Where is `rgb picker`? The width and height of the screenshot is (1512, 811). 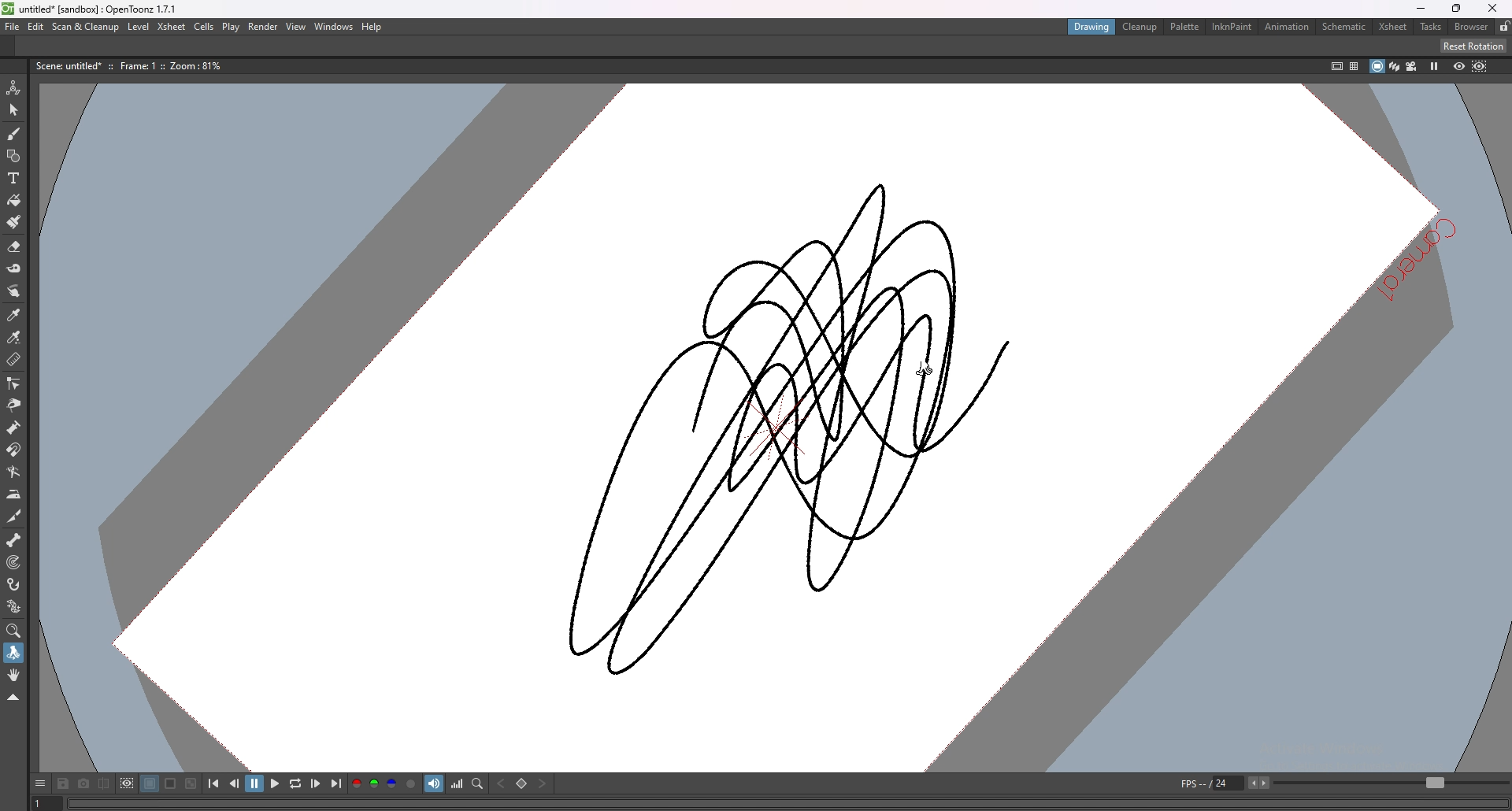
rgb picker is located at coordinates (14, 338).